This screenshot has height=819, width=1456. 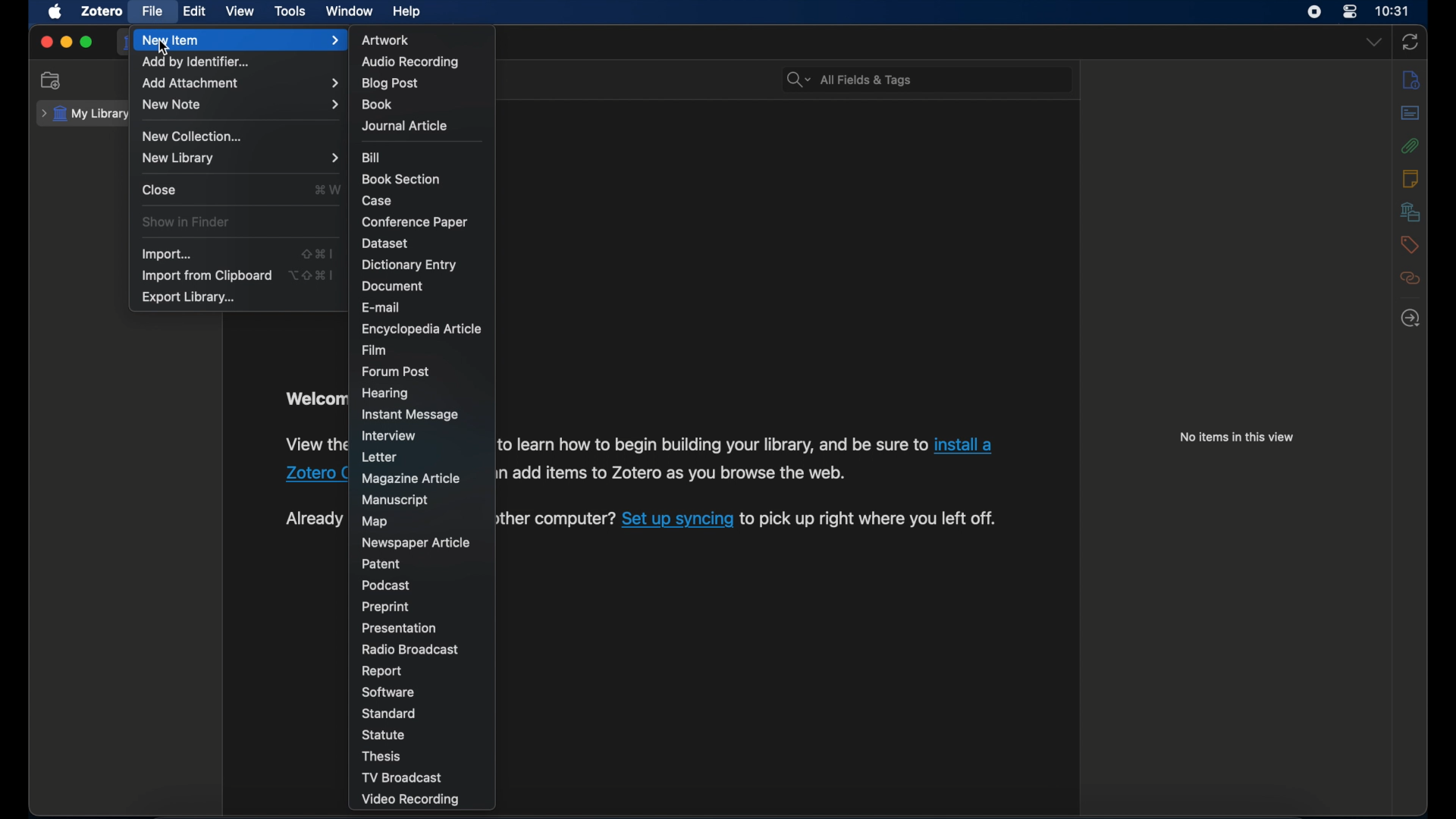 I want to click on info, so click(x=1411, y=79).